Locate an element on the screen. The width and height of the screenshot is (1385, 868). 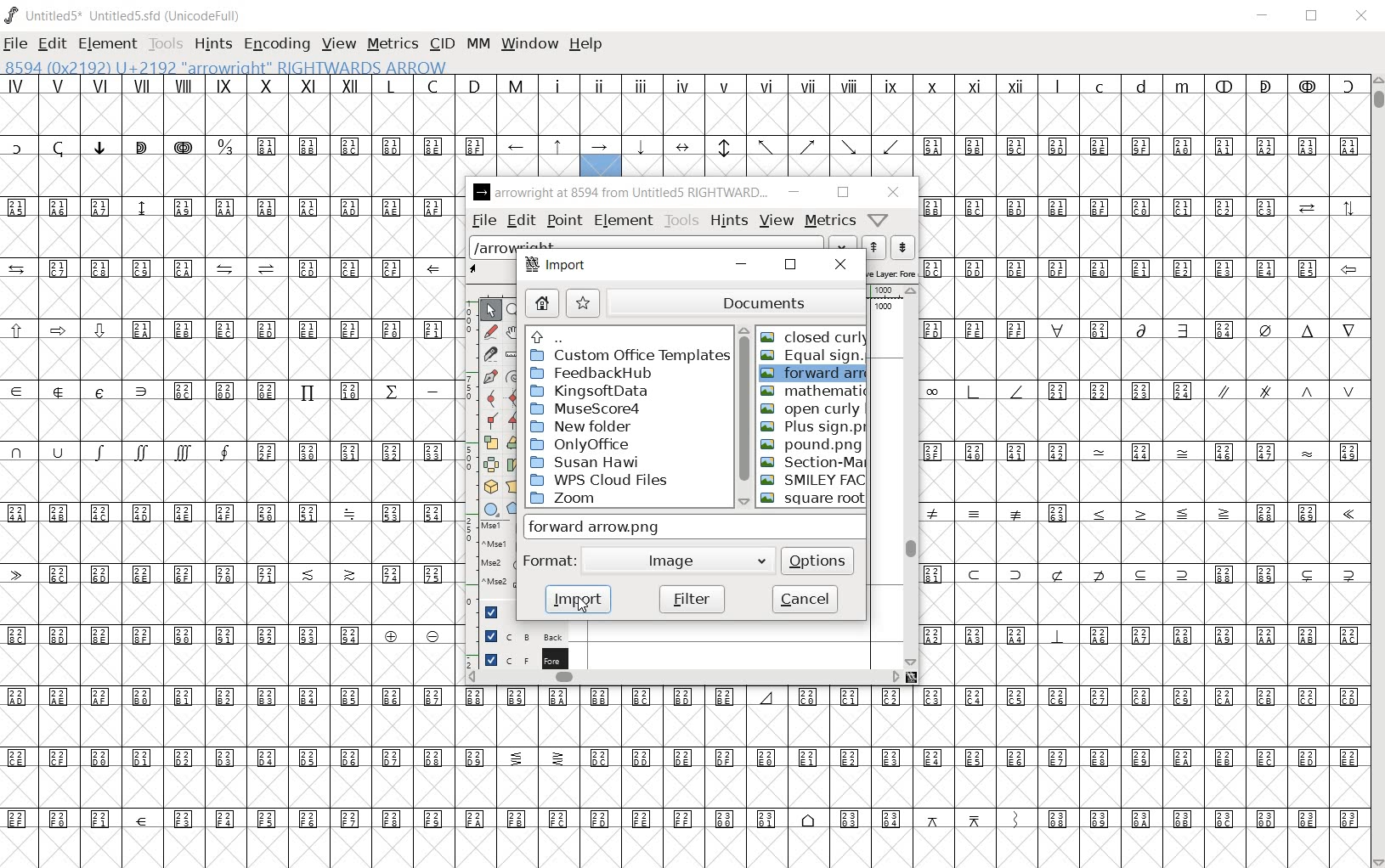
MINIMIZE is located at coordinates (1264, 15).